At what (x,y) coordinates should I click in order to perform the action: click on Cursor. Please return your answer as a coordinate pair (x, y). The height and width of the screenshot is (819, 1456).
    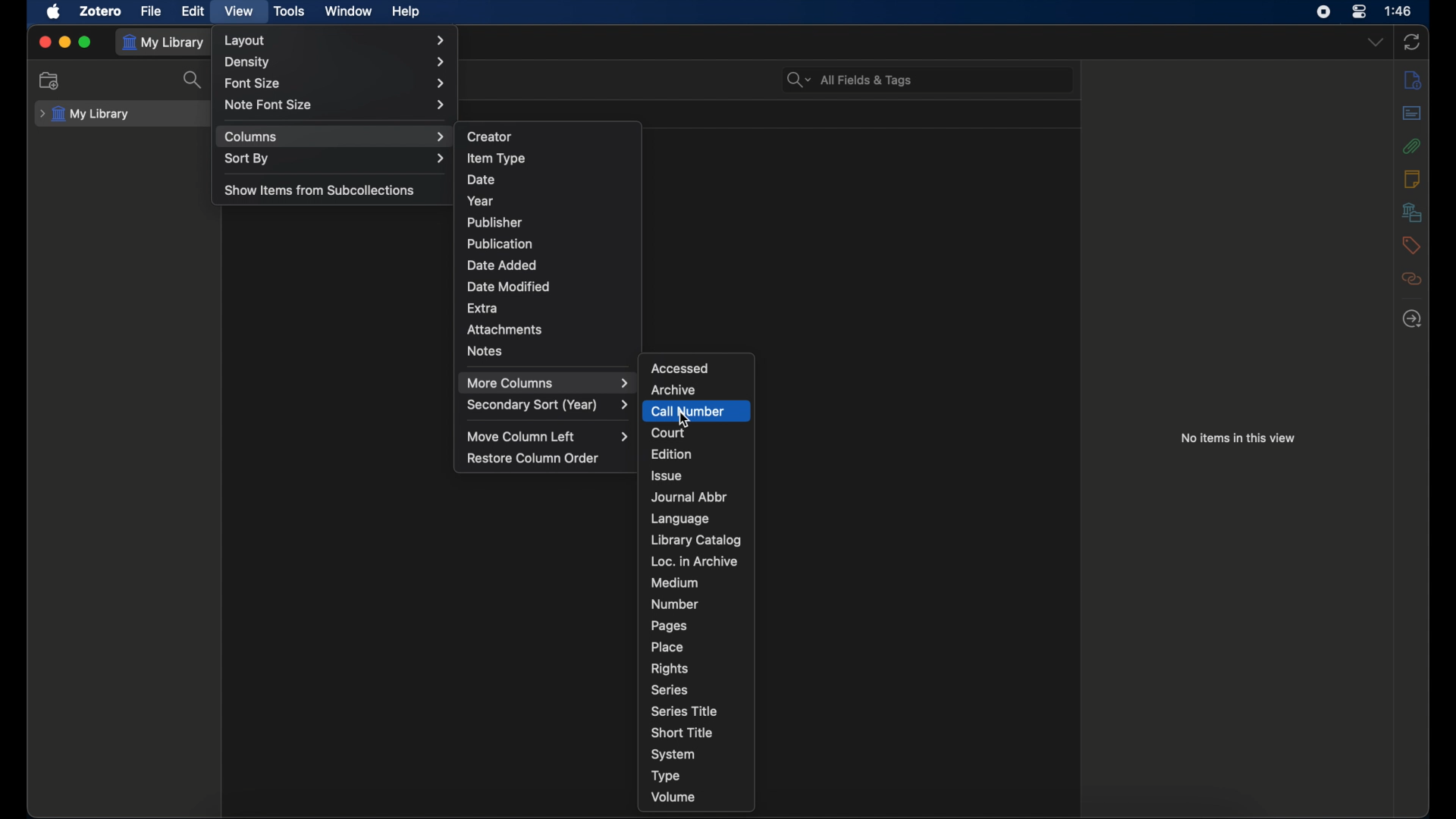
    Looking at the image, I should click on (686, 421).